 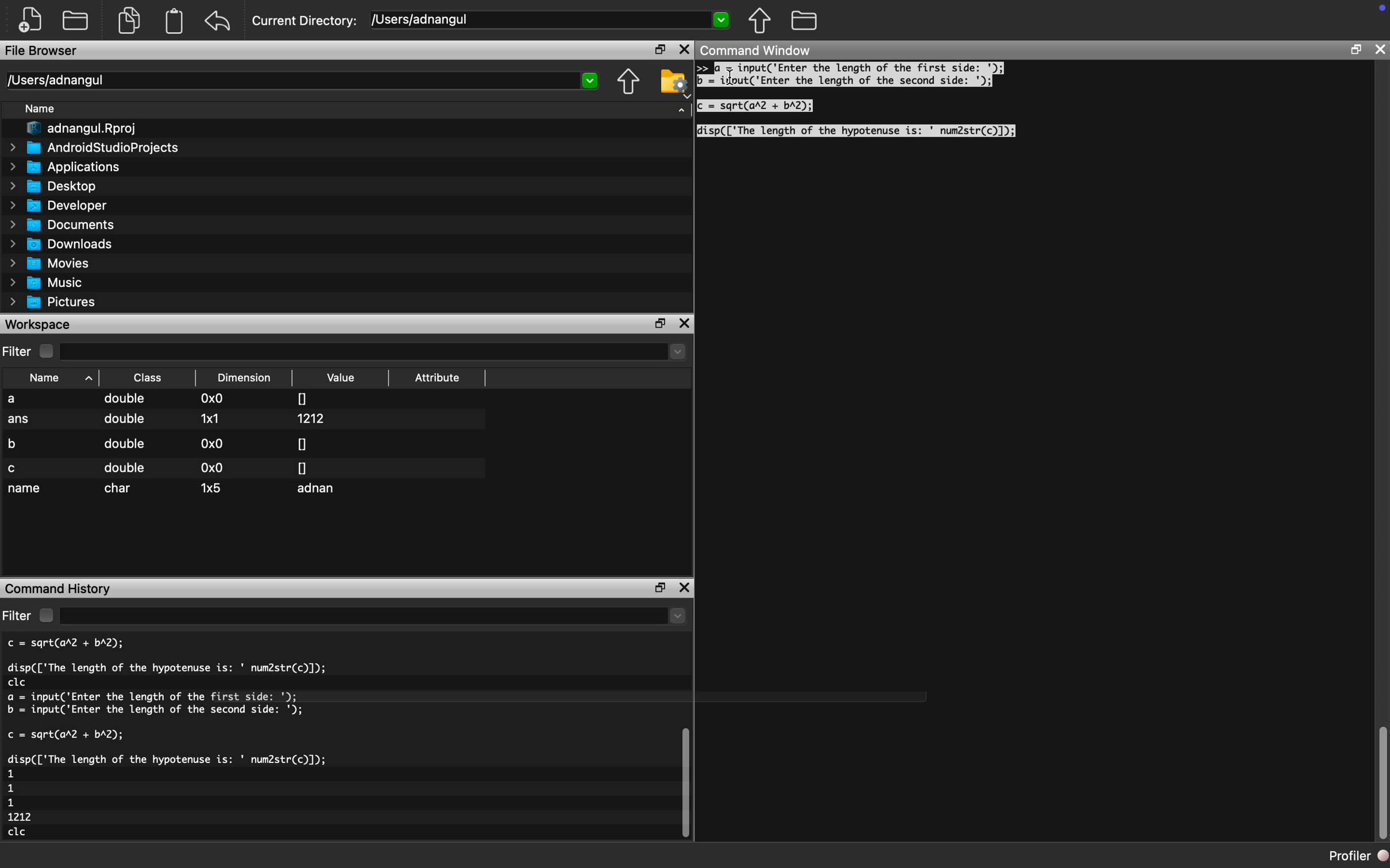 I want to click on dropdown, so click(x=682, y=108).